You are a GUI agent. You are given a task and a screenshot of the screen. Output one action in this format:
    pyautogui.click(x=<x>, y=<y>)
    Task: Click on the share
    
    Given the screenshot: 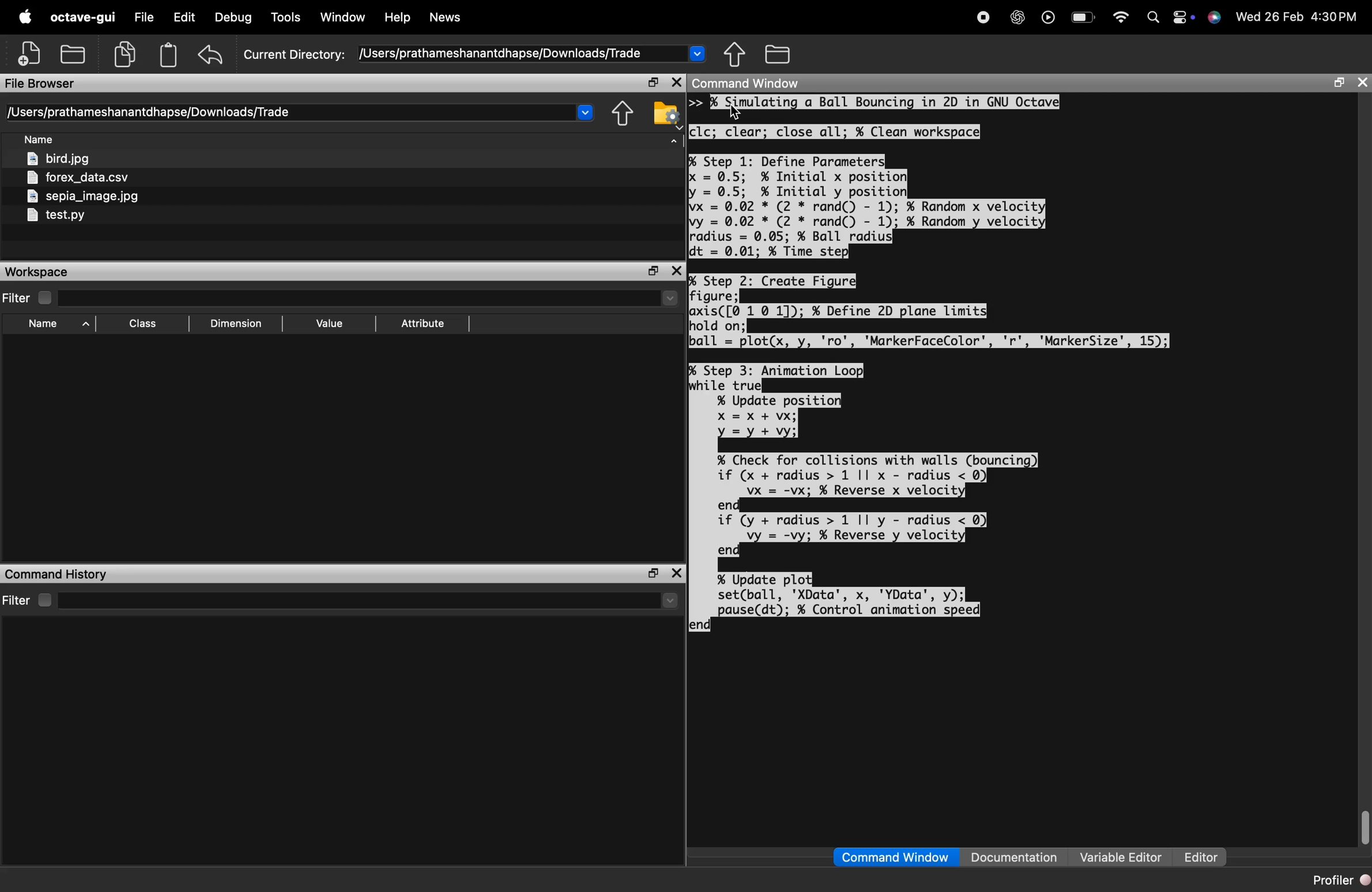 What is the action you would take?
    pyautogui.click(x=735, y=53)
    